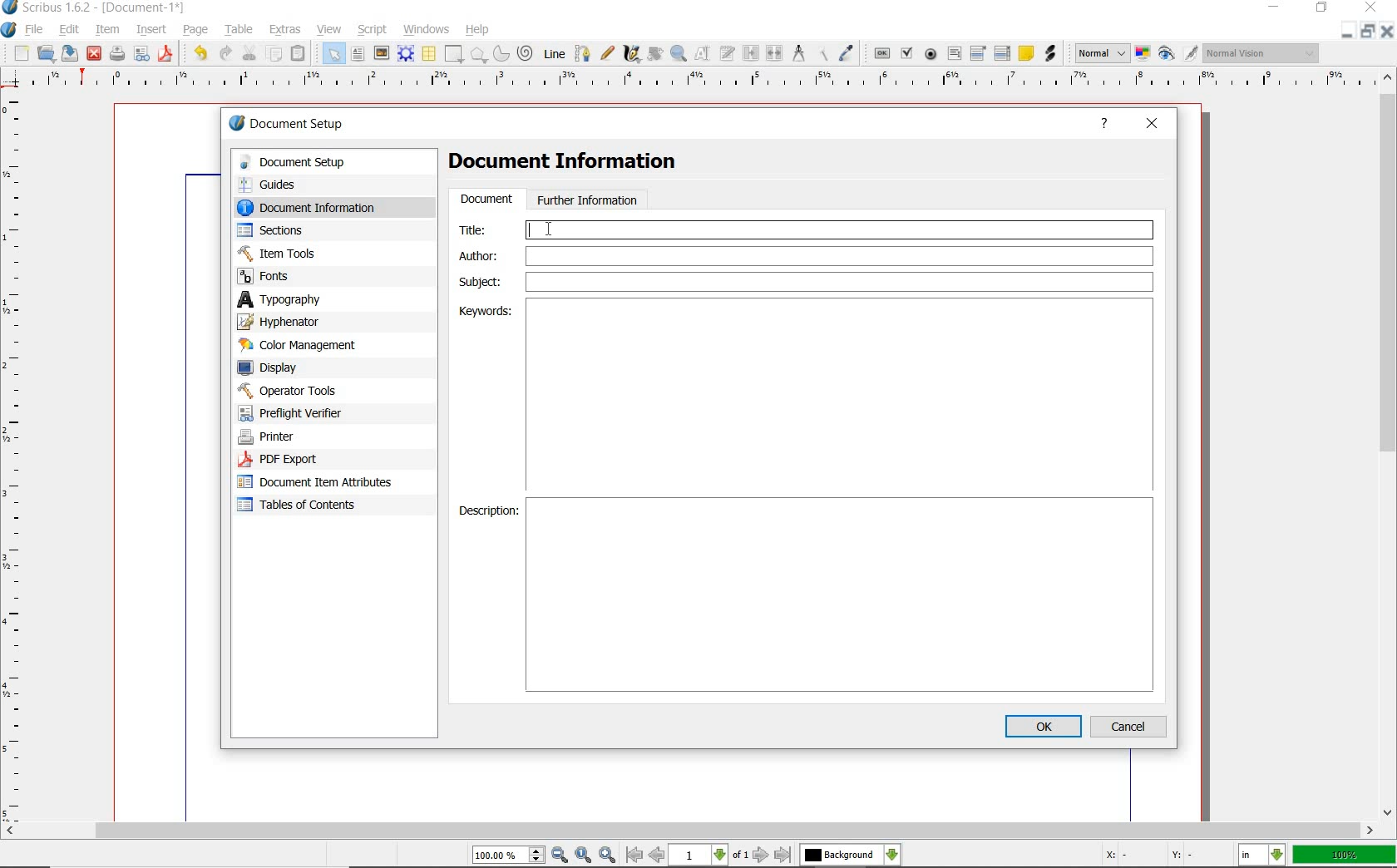 The width and height of the screenshot is (1397, 868). Describe the element at coordinates (303, 299) in the screenshot. I see `typography` at that location.